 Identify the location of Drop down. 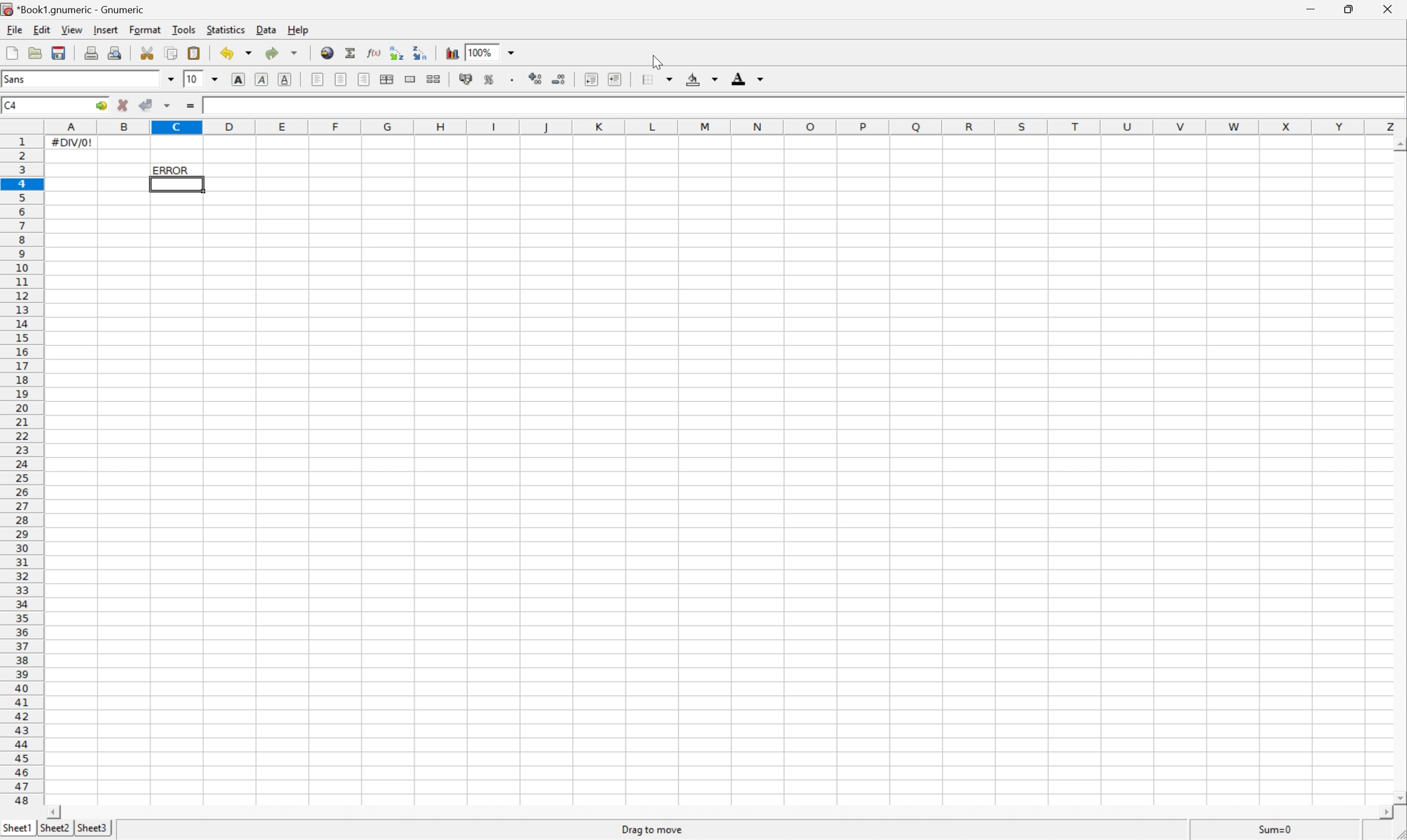
(513, 51).